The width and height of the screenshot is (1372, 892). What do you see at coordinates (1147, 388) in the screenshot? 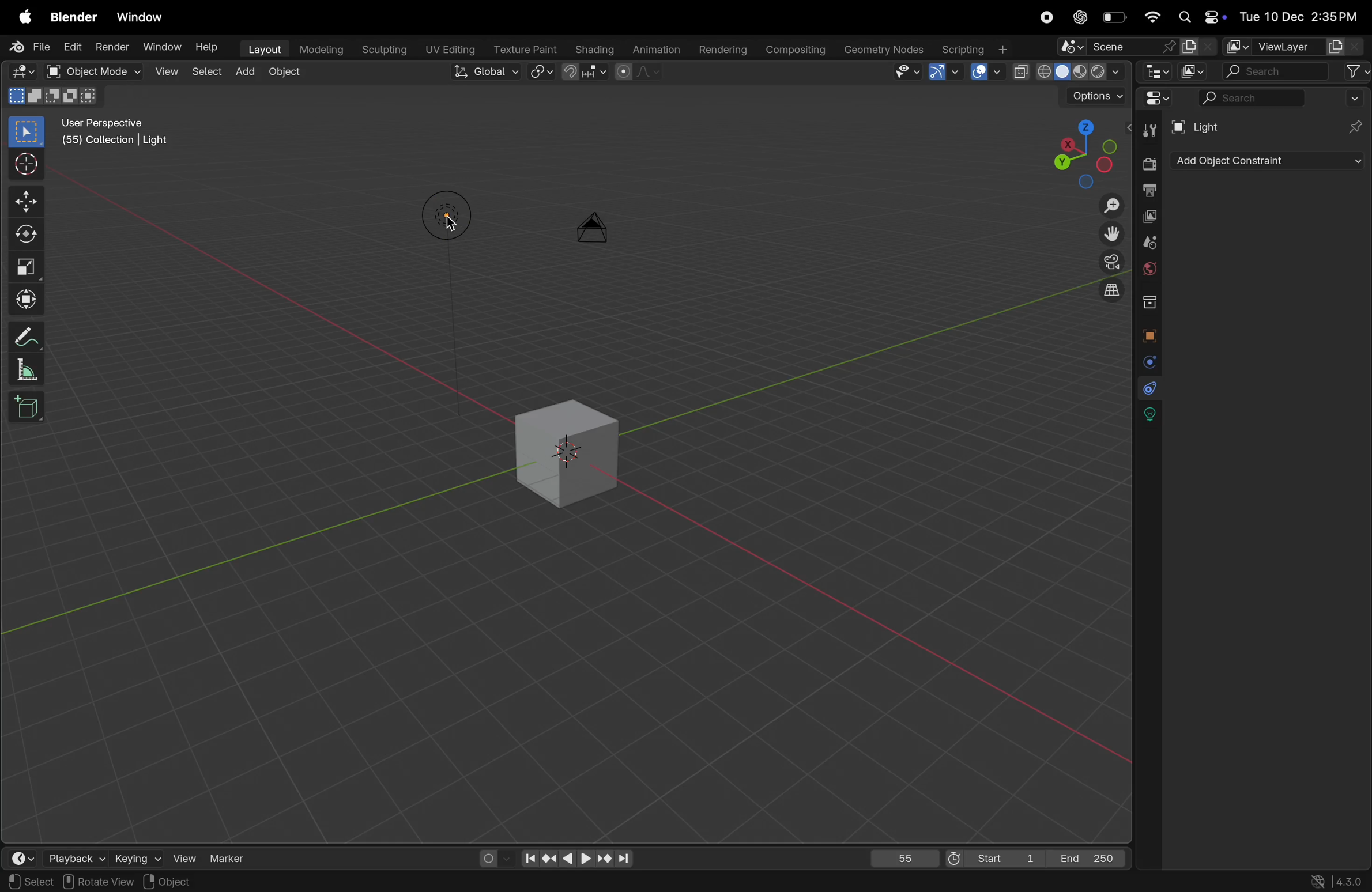
I see `constarints` at bounding box center [1147, 388].